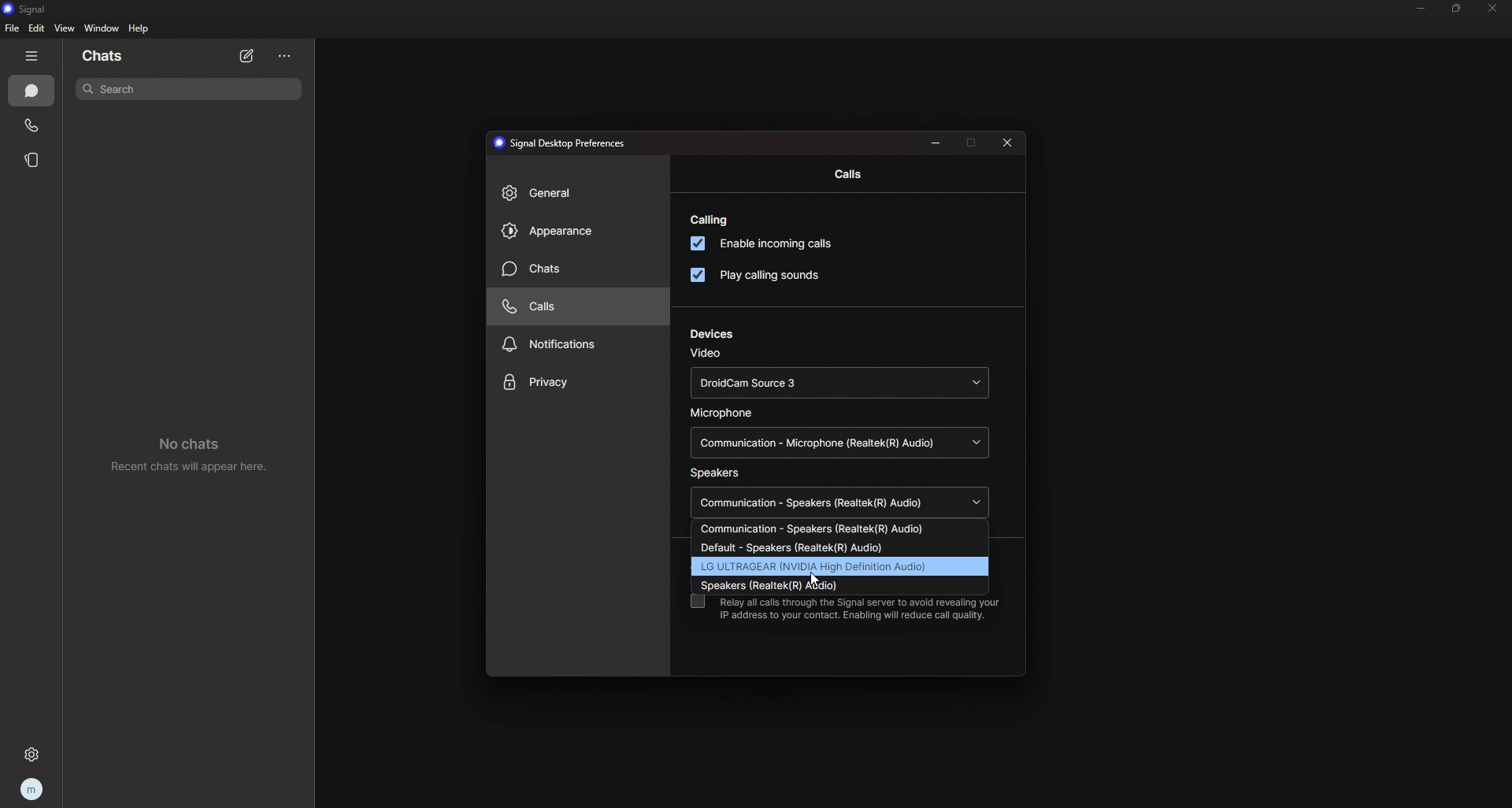 Image resolution: width=1512 pixels, height=808 pixels. What do you see at coordinates (1422, 8) in the screenshot?
I see `minimize` at bounding box center [1422, 8].